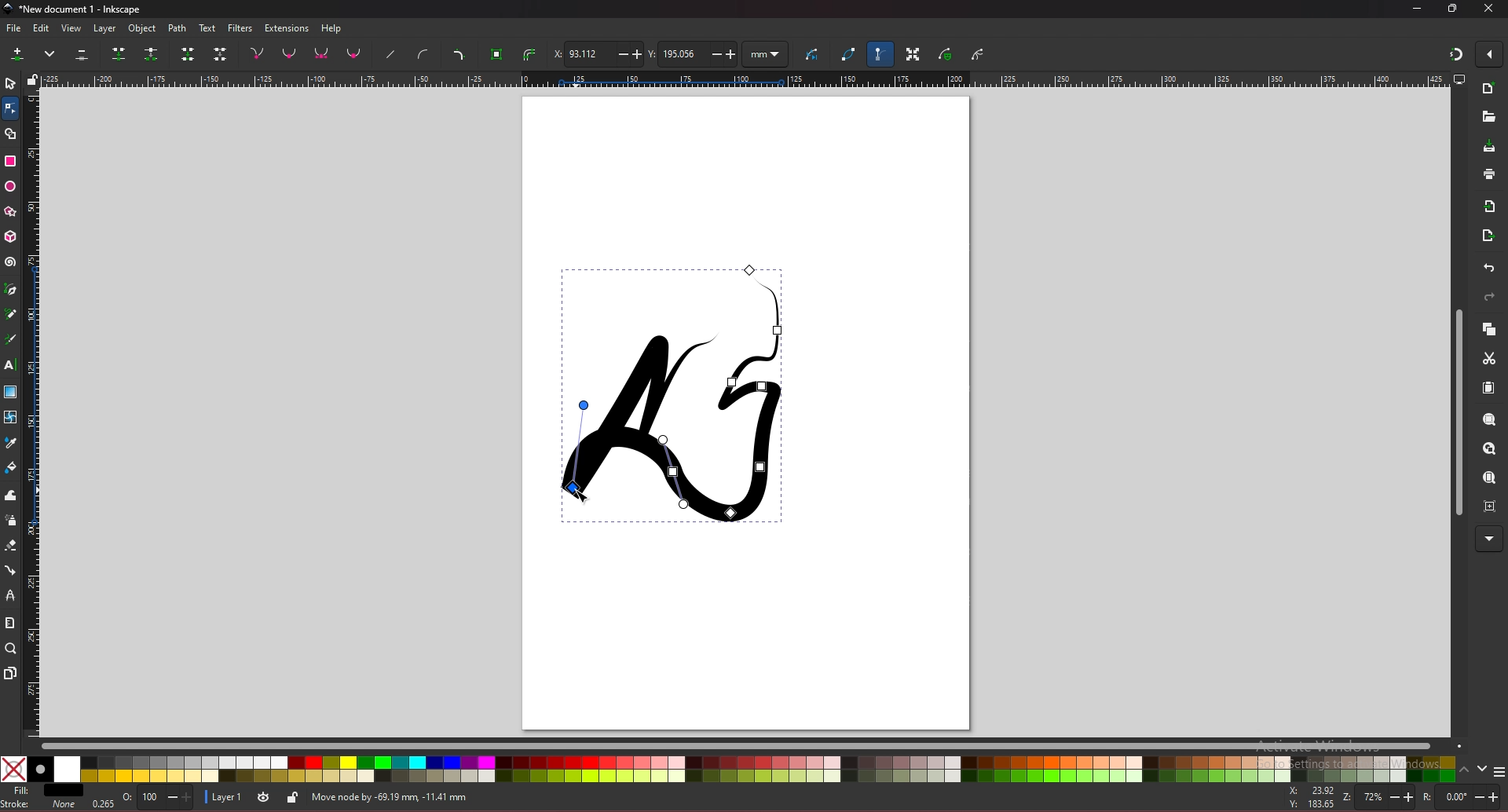 The image size is (1508, 812). Describe the element at coordinates (257, 53) in the screenshot. I see `node corner` at that location.